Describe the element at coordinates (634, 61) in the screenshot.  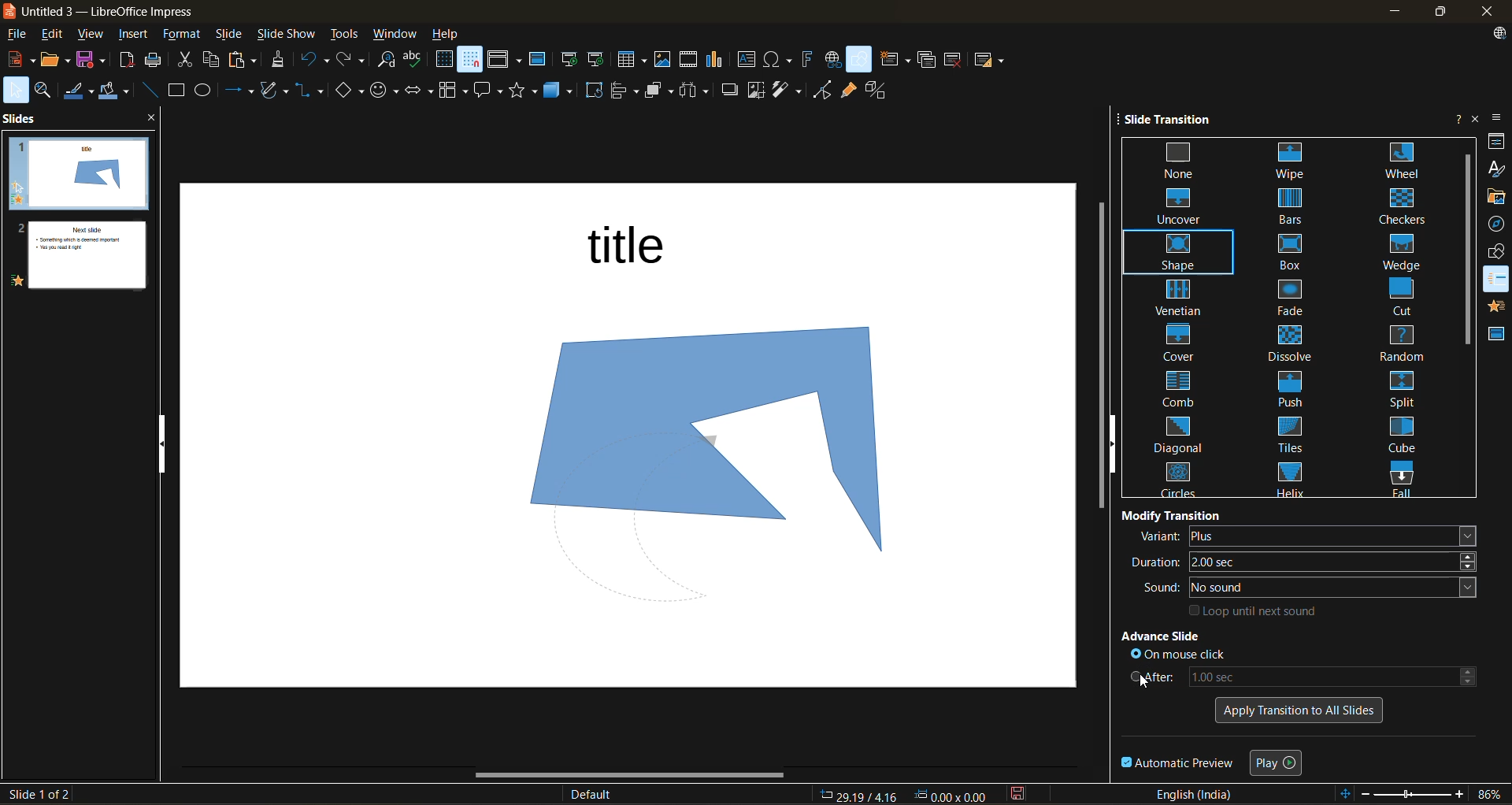
I see `table` at that location.